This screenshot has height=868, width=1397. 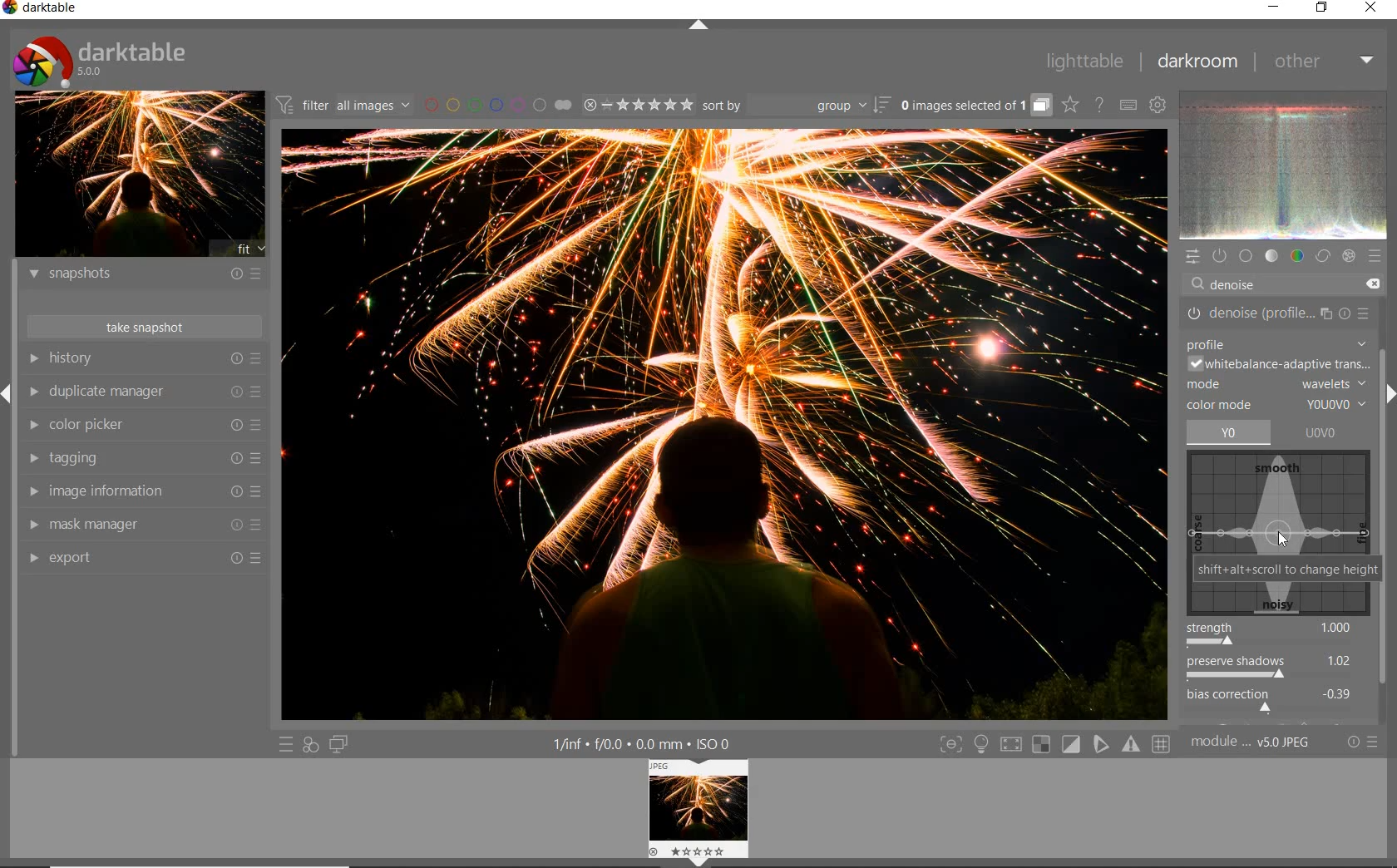 I want to click on DELETE, so click(x=1375, y=284).